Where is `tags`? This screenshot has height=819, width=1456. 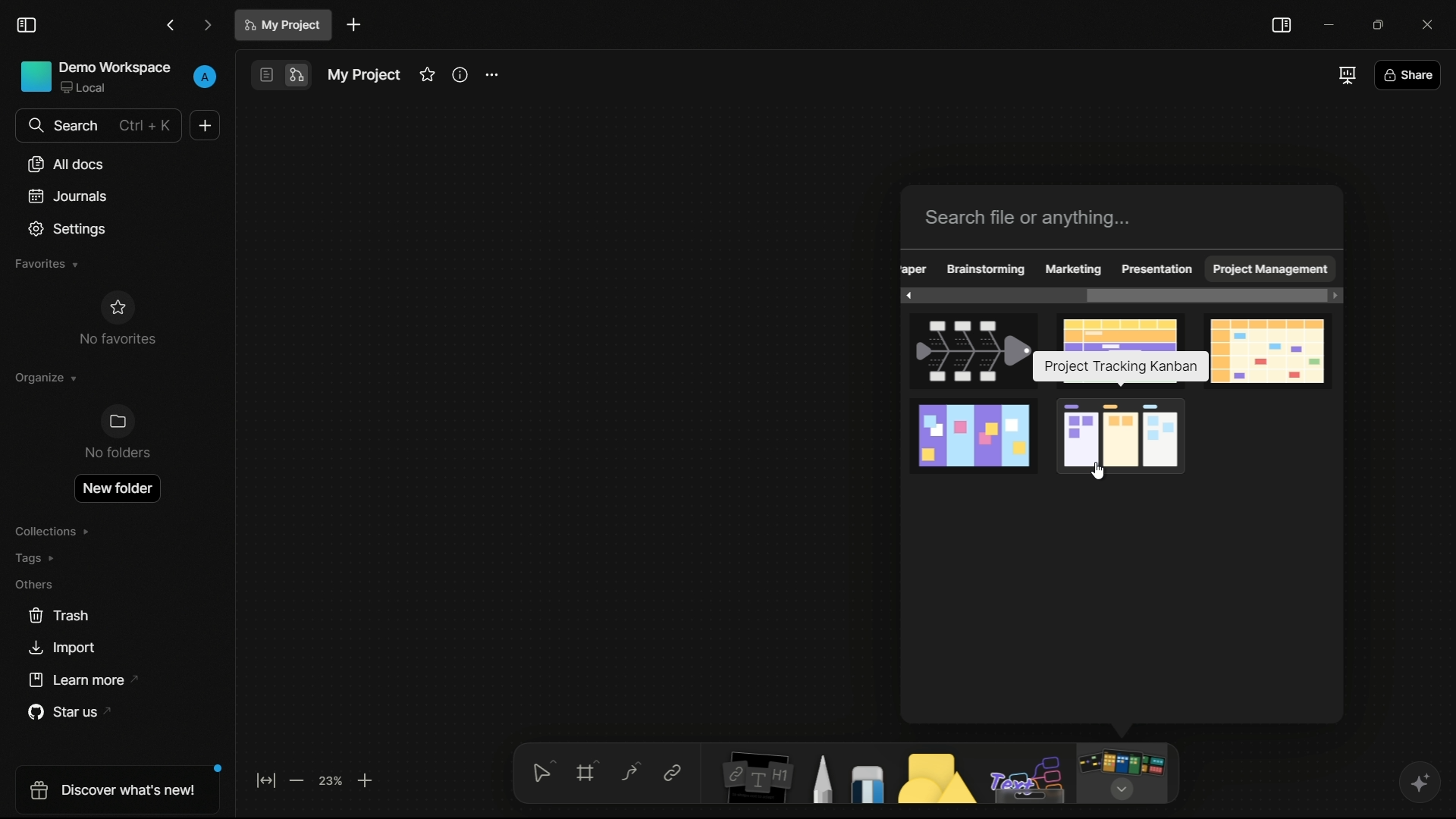 tags is located at coordinates (36, 558).